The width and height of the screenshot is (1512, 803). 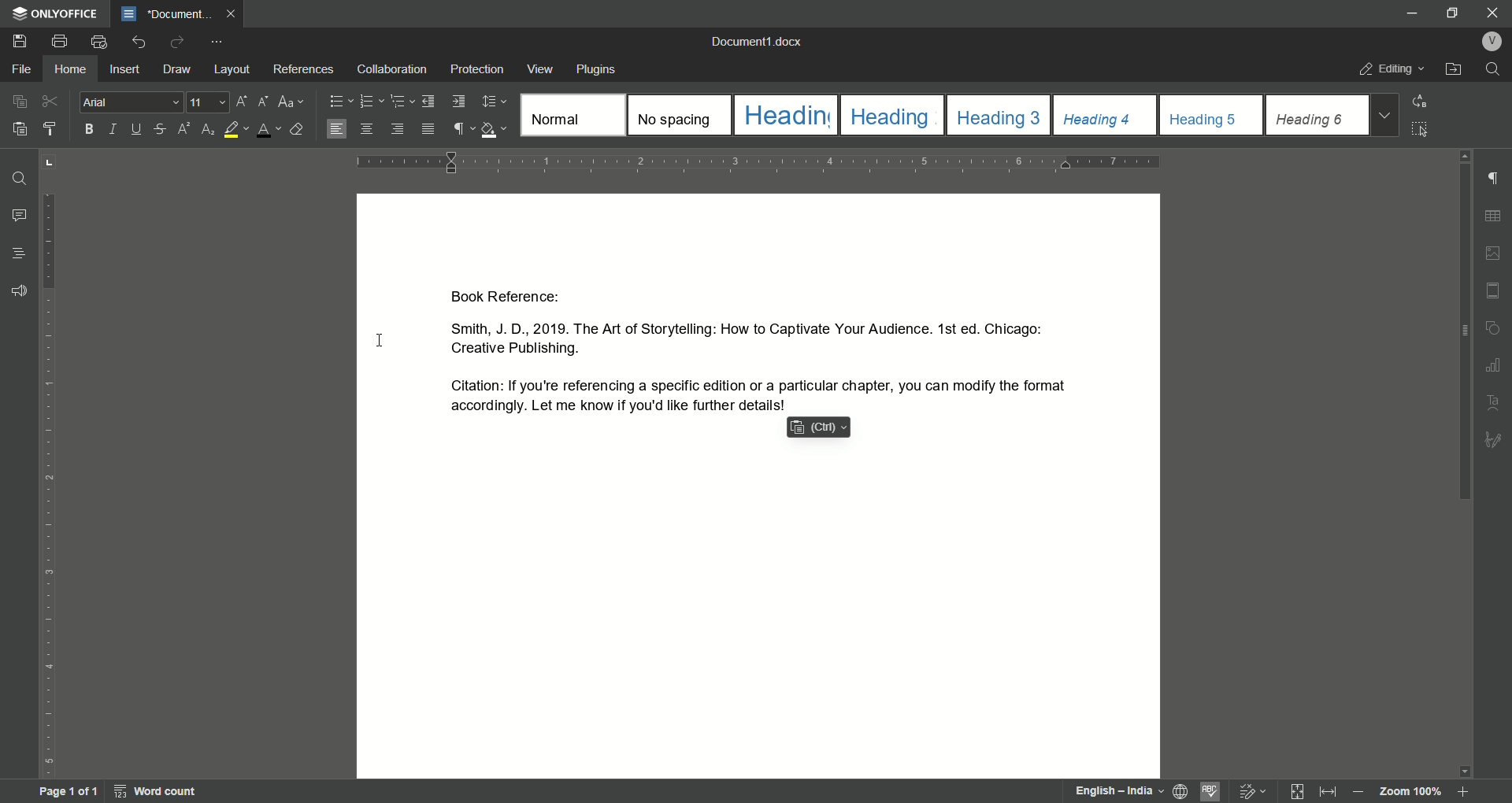 I want to click on , so click(x=1494, y=440).